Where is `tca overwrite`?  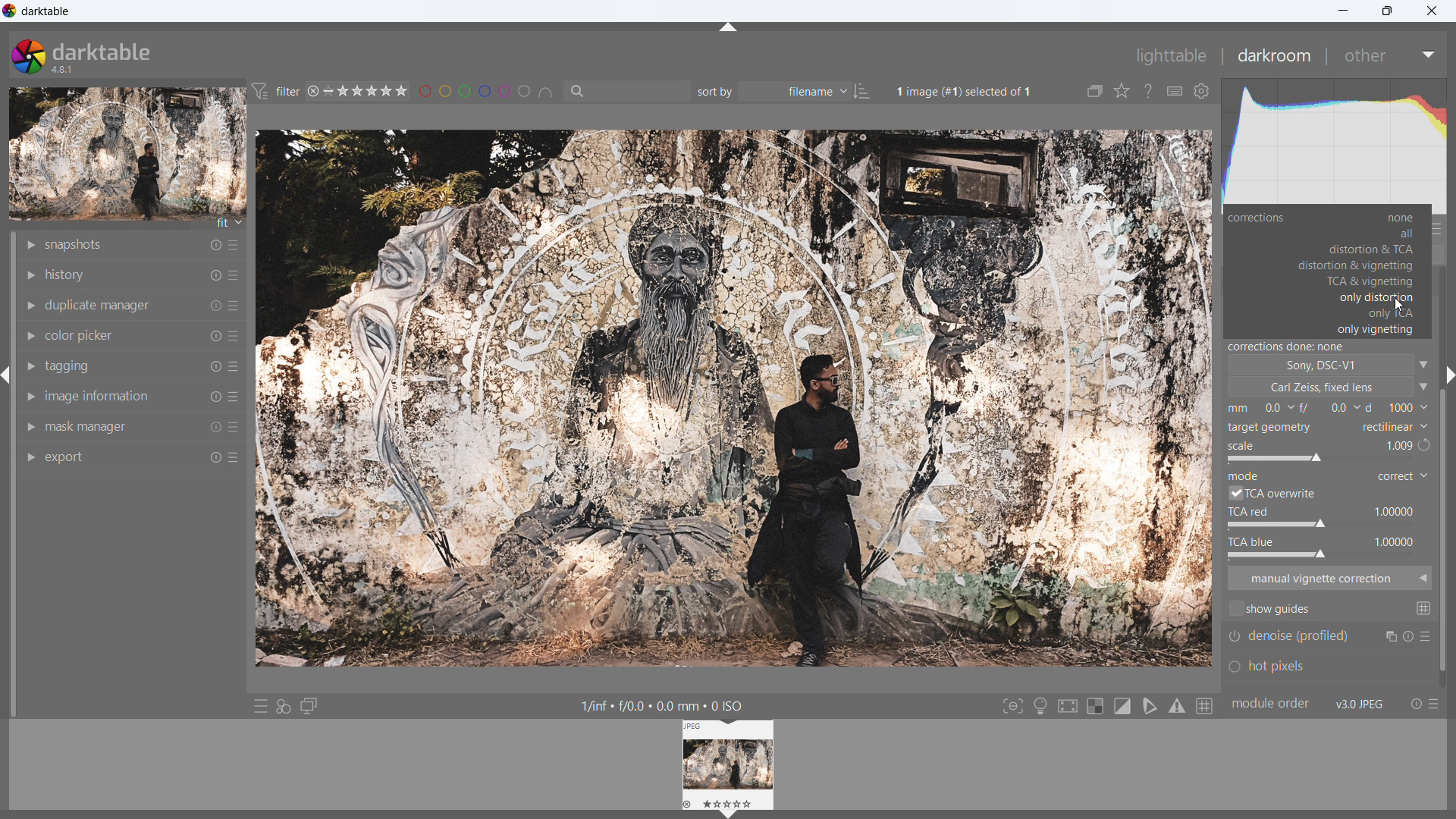
tca overwrite is located at coordinates (1272, 493).